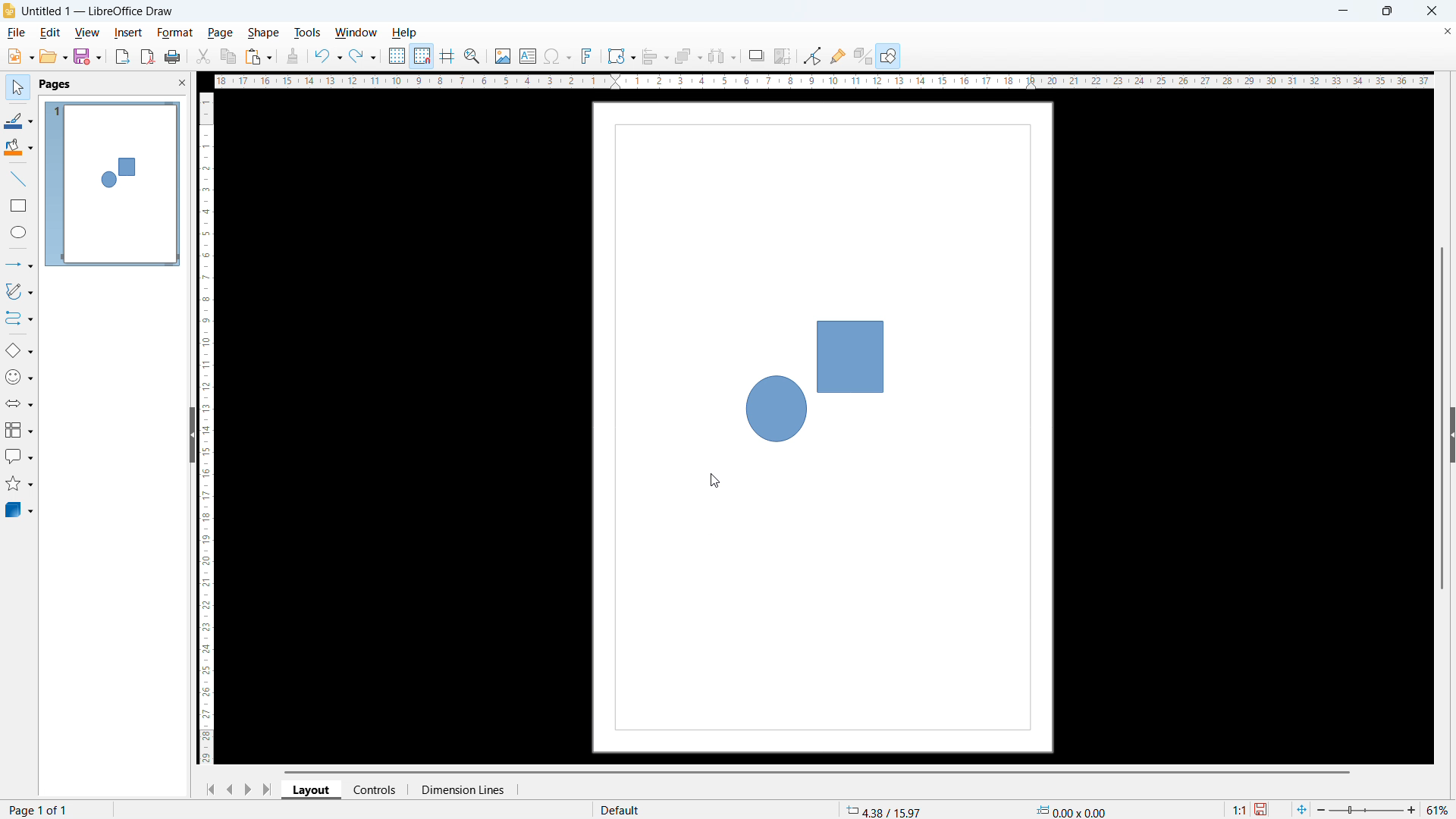  What do you see at coordinates (18, 457) in the screenshot?
I see `callout shapes` at bounding box center [18, 457].